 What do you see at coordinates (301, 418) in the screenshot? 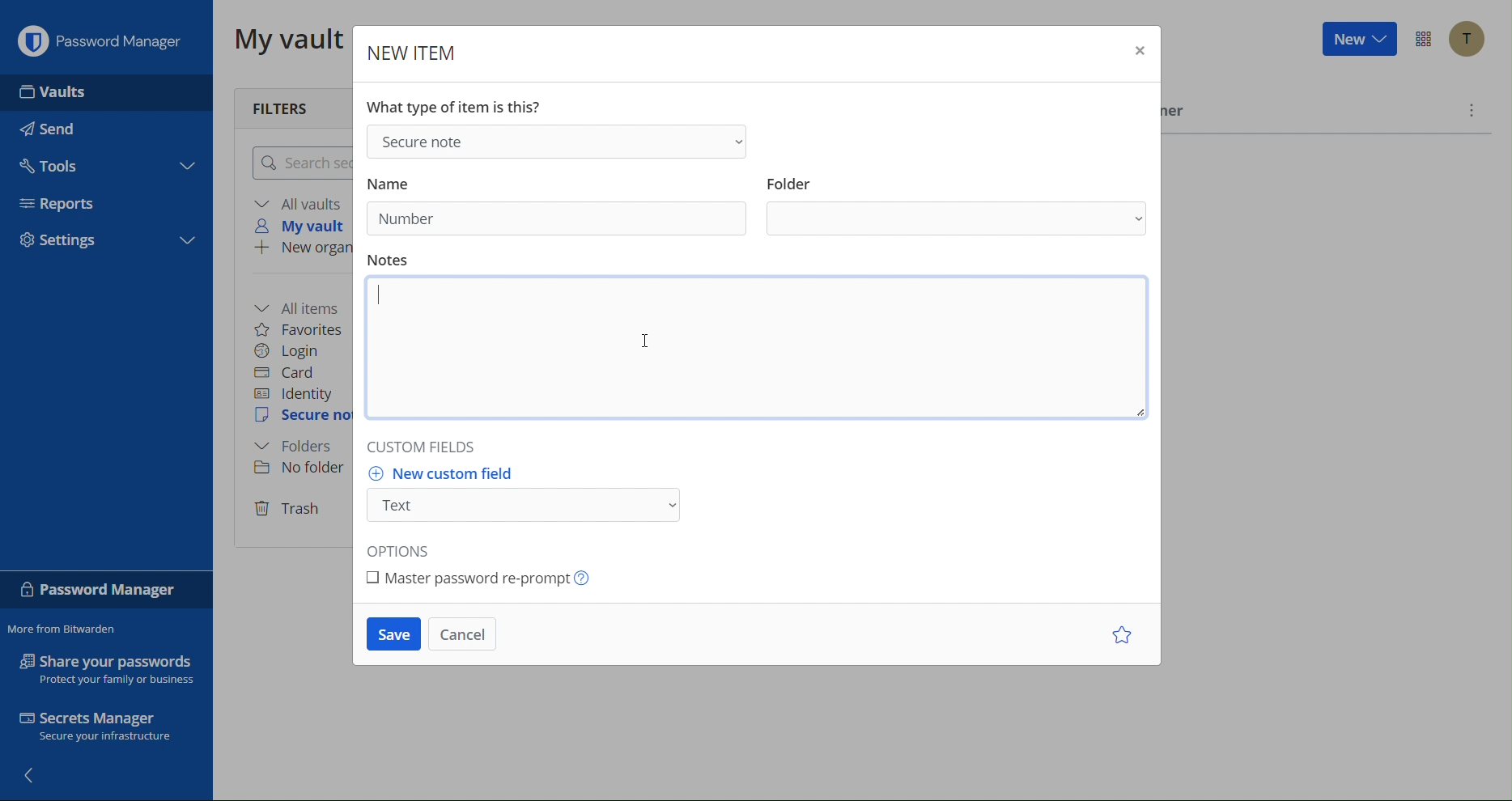
I see `Secure Note` at bounding box center [301, 418].